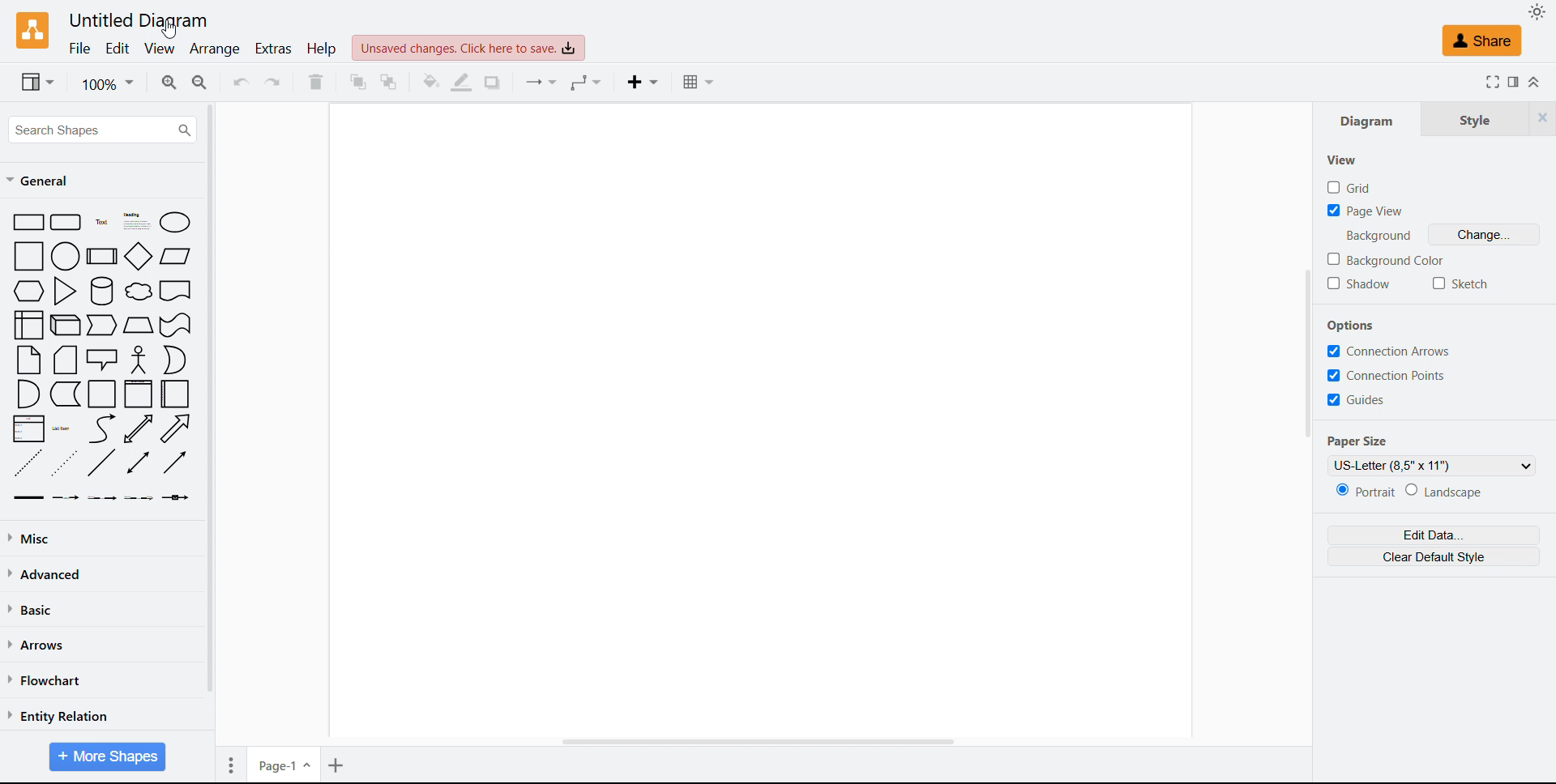  What do you see at coordinates (765, 422) in the screenshot?
I see `Drawing space ` at bounding box center [765, 422].